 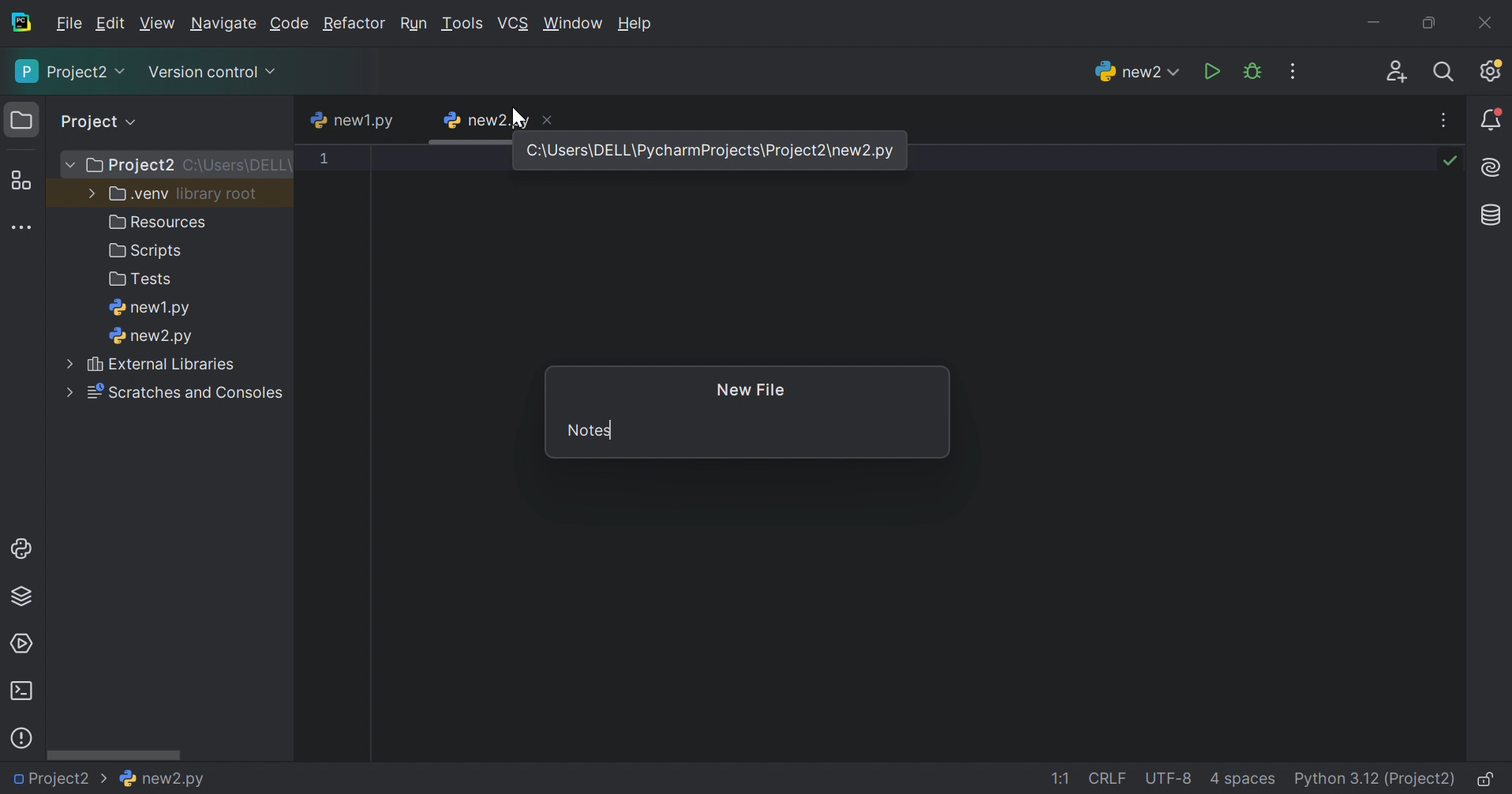 I want to click on library root, so click(x=220, y=193).